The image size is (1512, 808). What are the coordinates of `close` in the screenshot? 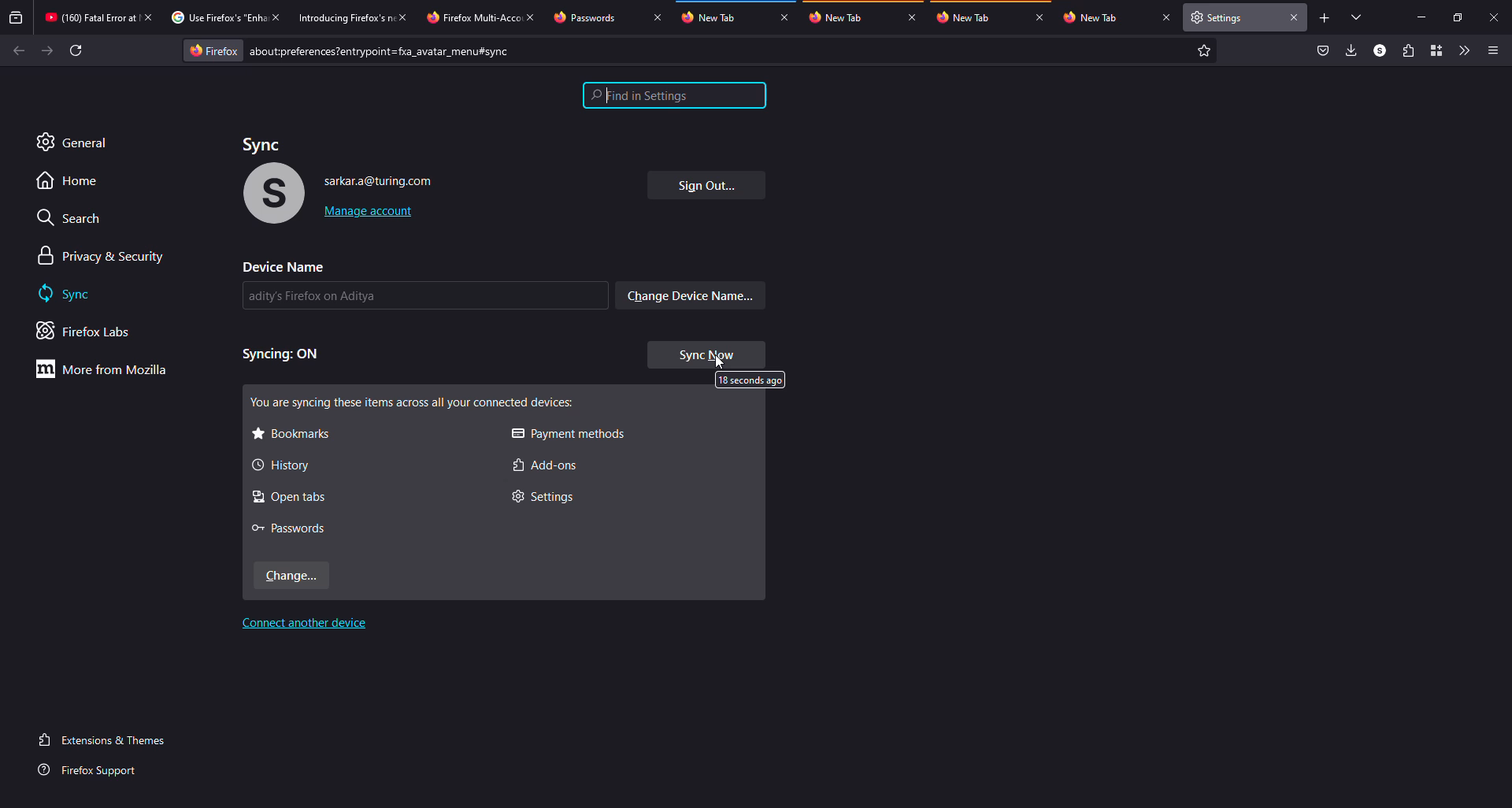 It's located at (656, 17).